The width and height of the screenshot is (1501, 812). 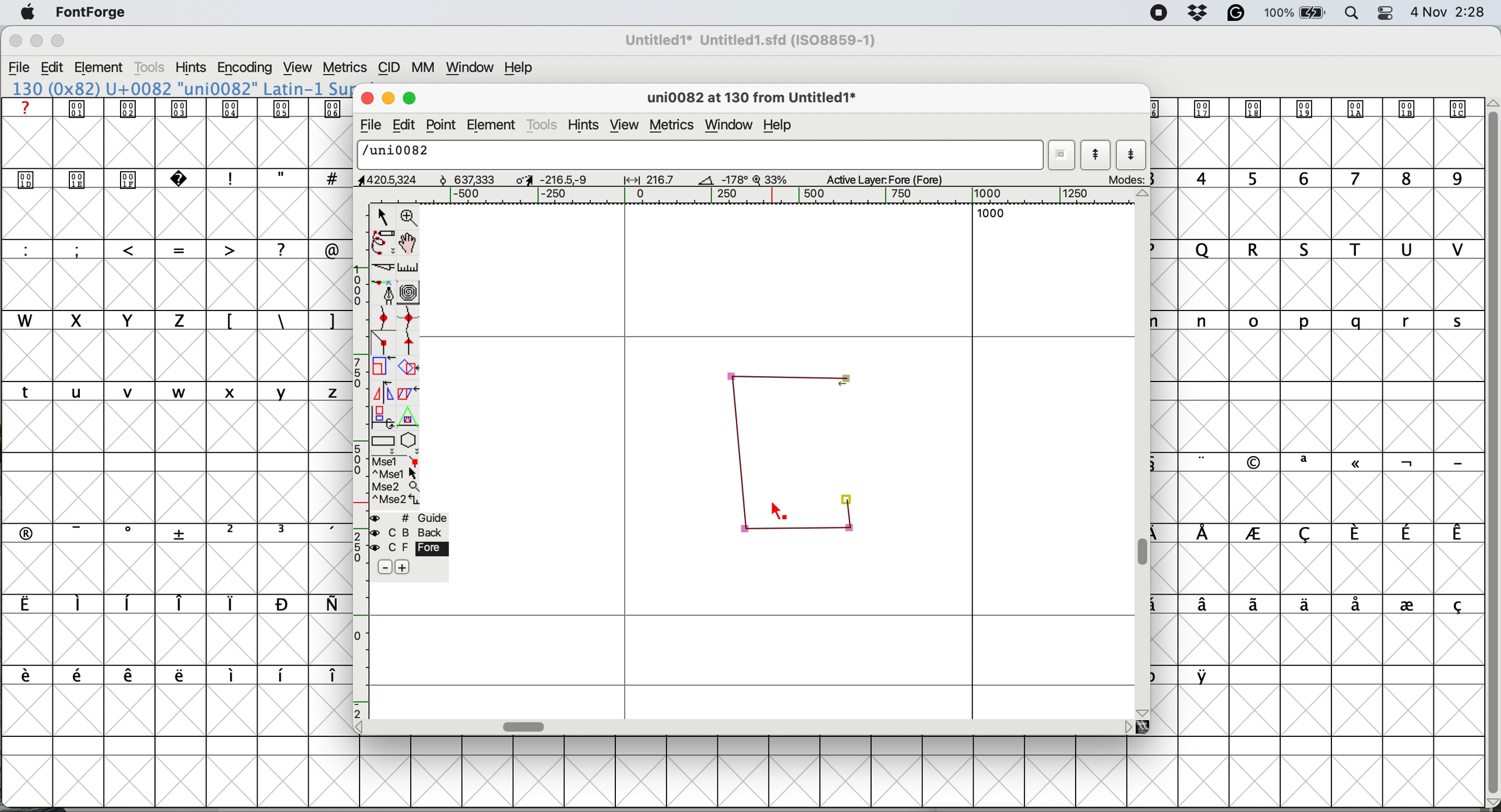 I want to click on add a point and drag out its control points, so click(x=386, y=292).